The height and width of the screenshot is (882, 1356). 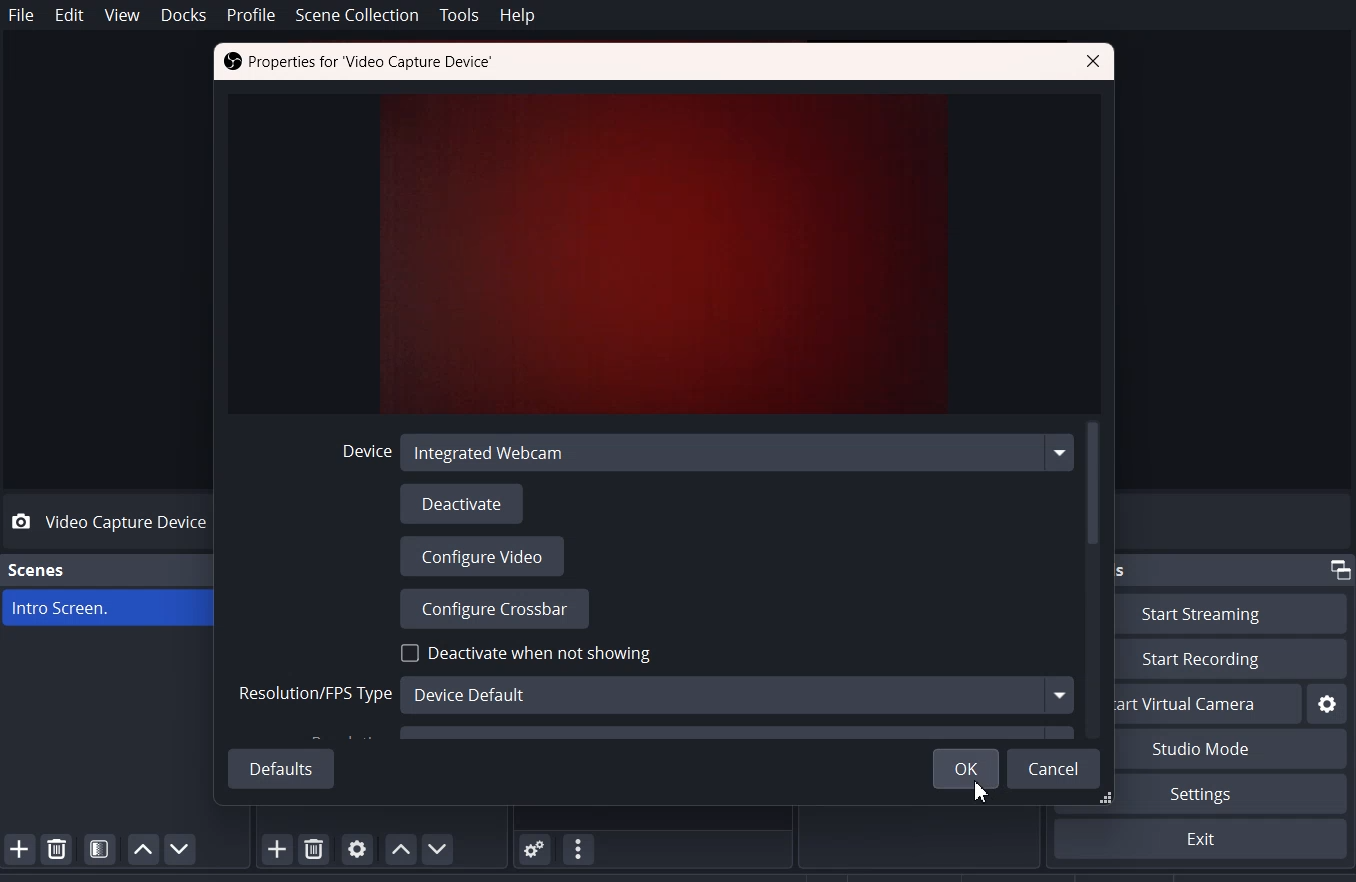 What do you see at coordinates (21, 14) in the screenshot?
I see `File` at bounding box center [21, 14].